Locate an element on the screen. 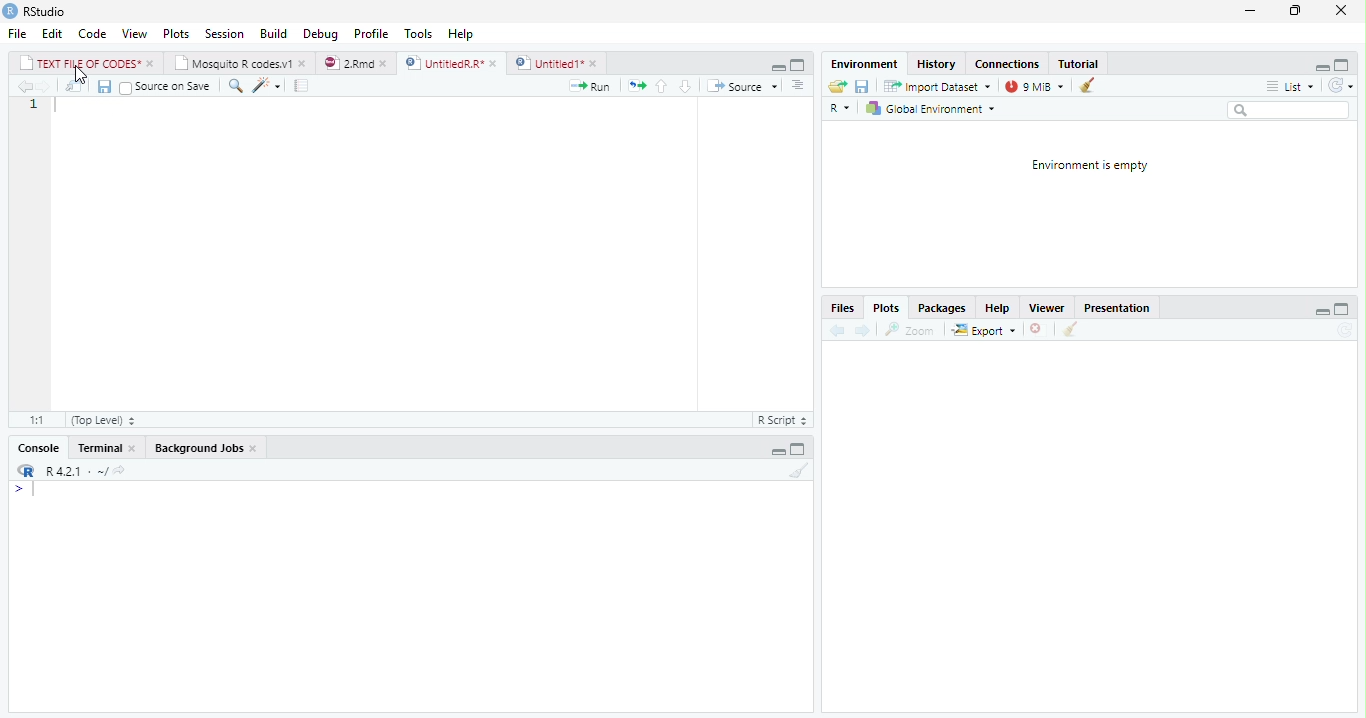   Run is located at coordinates (590, 87).